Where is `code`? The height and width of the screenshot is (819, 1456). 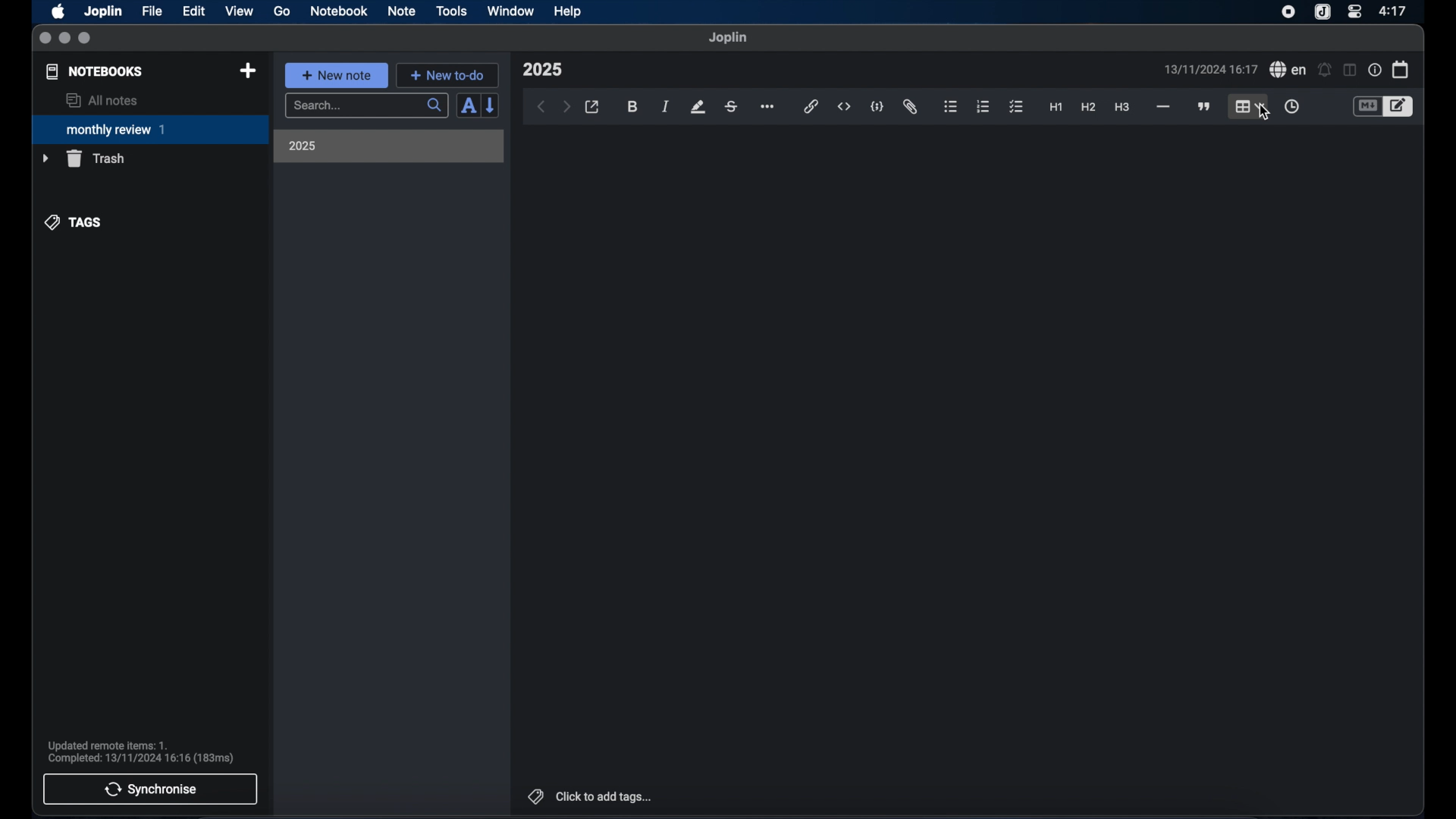
code is located at coordinates (877, 108).